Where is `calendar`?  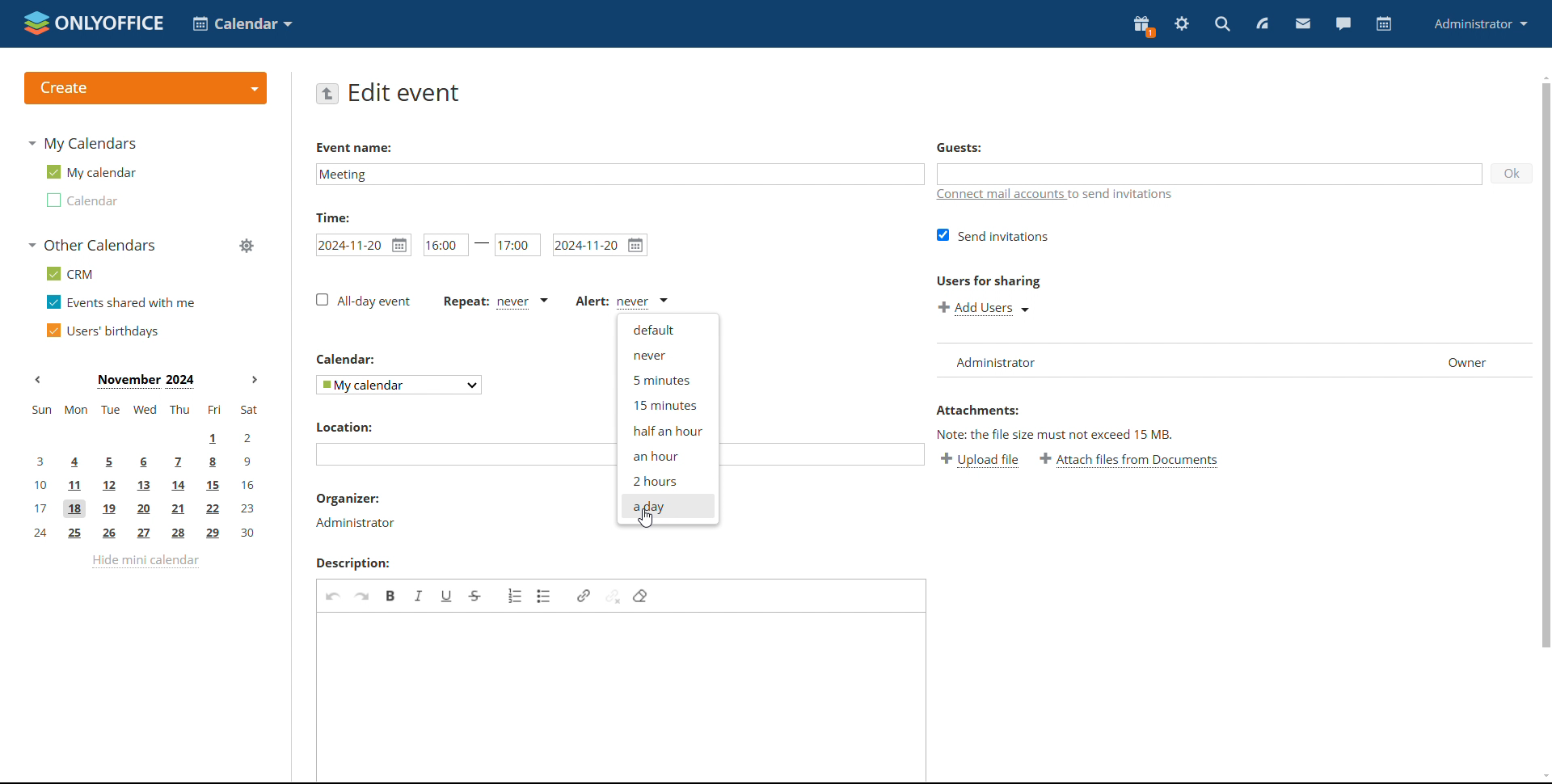
calendar is located at coordinates (1384, 24).